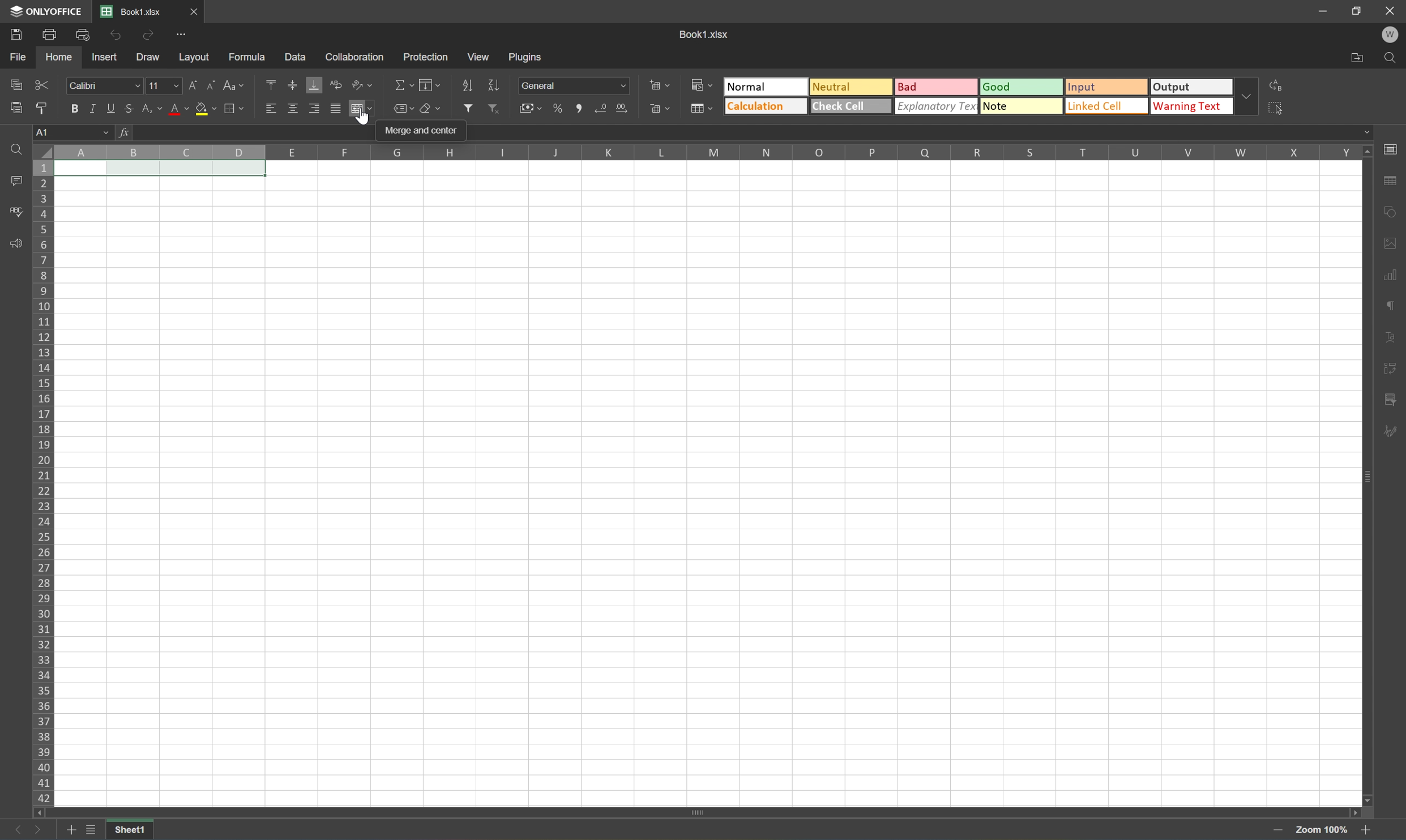 The width and height of the screenshot is (1406, 840). What do you see at coordinates (48, 36) in the screenshot?
I see `Print` at bounding box center [48, 36].